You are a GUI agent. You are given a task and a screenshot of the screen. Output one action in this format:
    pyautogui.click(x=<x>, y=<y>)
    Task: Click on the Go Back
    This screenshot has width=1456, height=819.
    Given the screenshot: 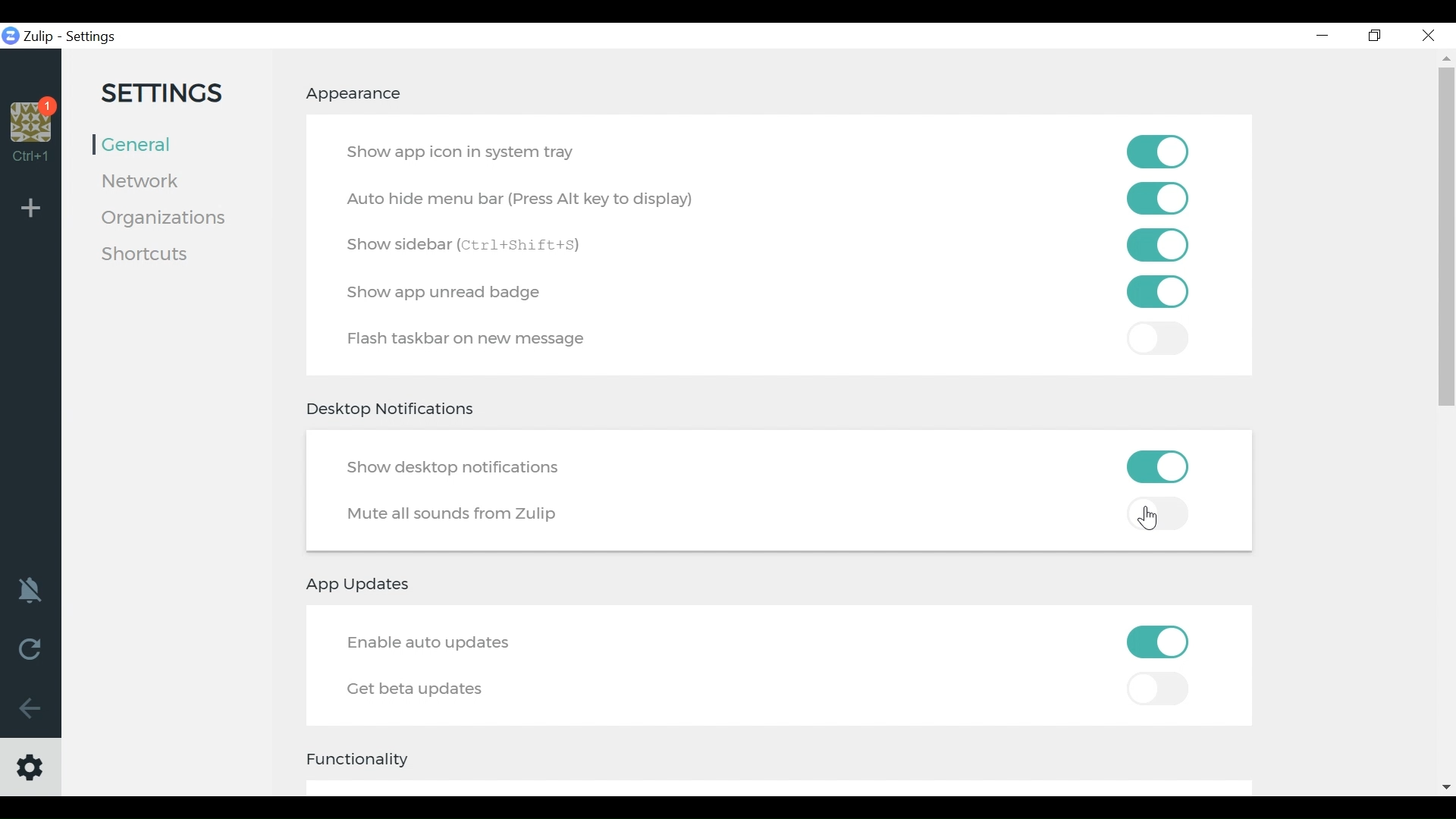 What is the action you would take?
    pyautogui.click(x=30, y=709)
    